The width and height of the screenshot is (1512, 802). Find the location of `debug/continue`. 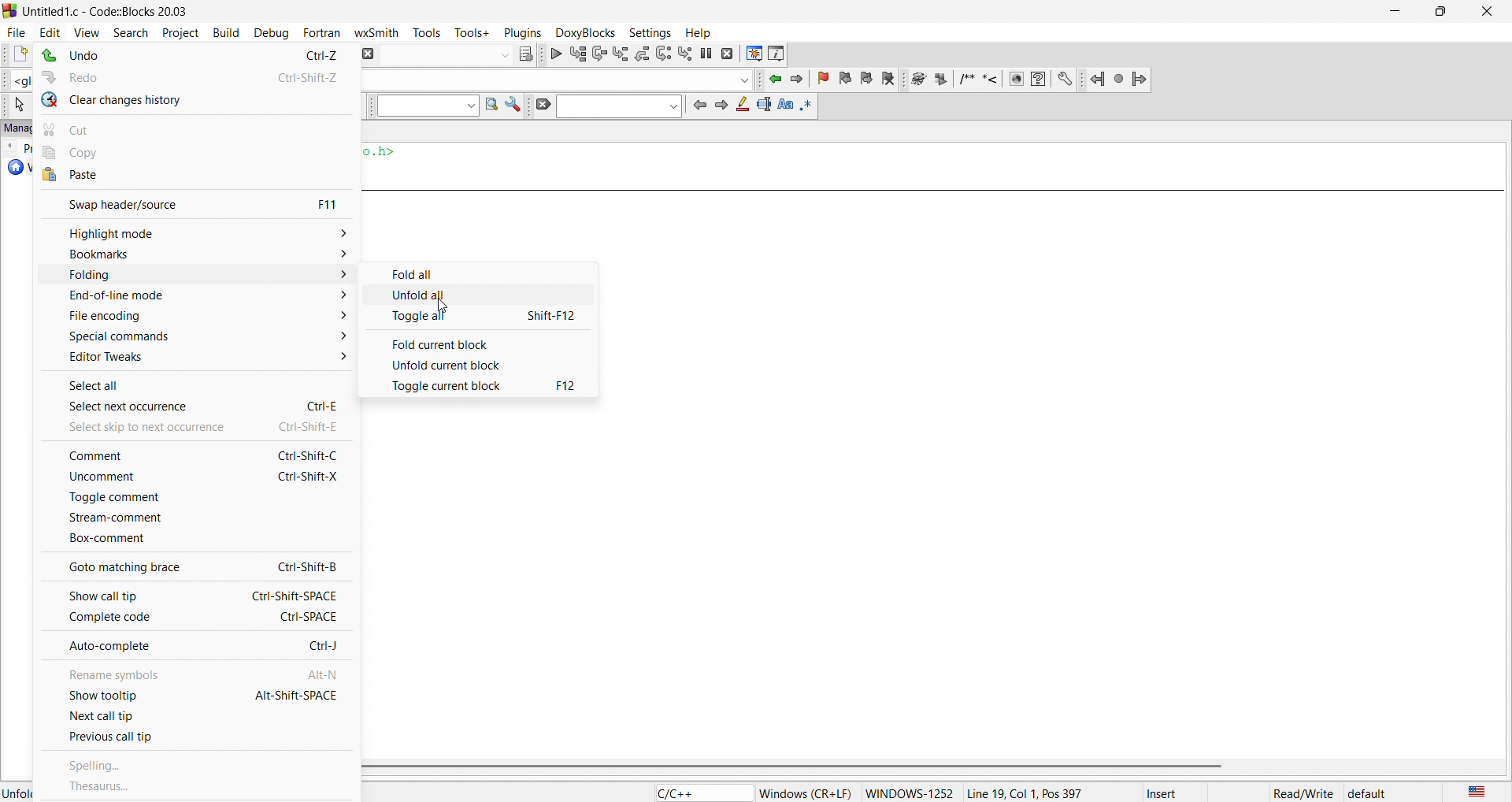

debug/continue is located at coordinates (554, 54).